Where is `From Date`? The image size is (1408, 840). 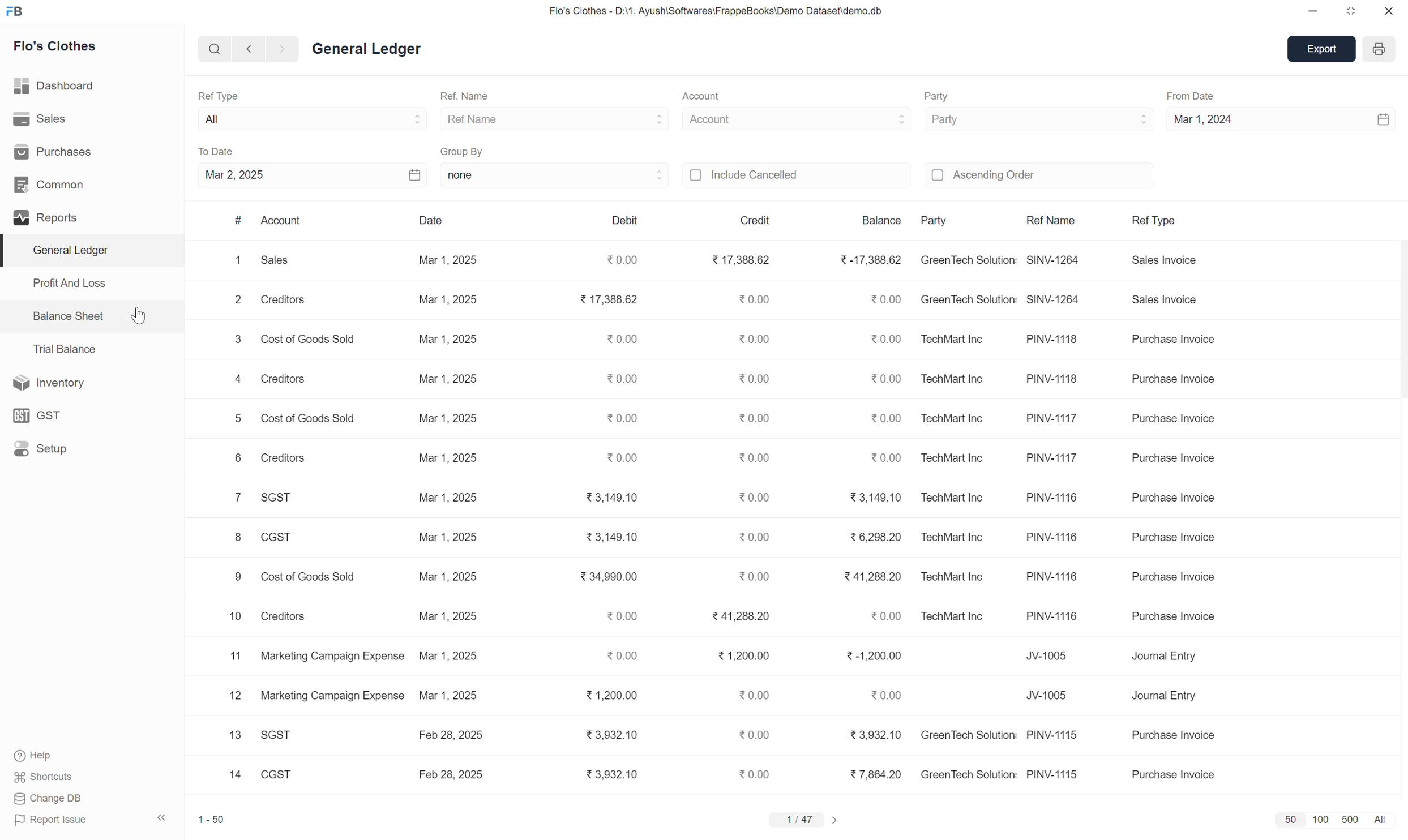 From Date is located at coordinates (1196, 93).